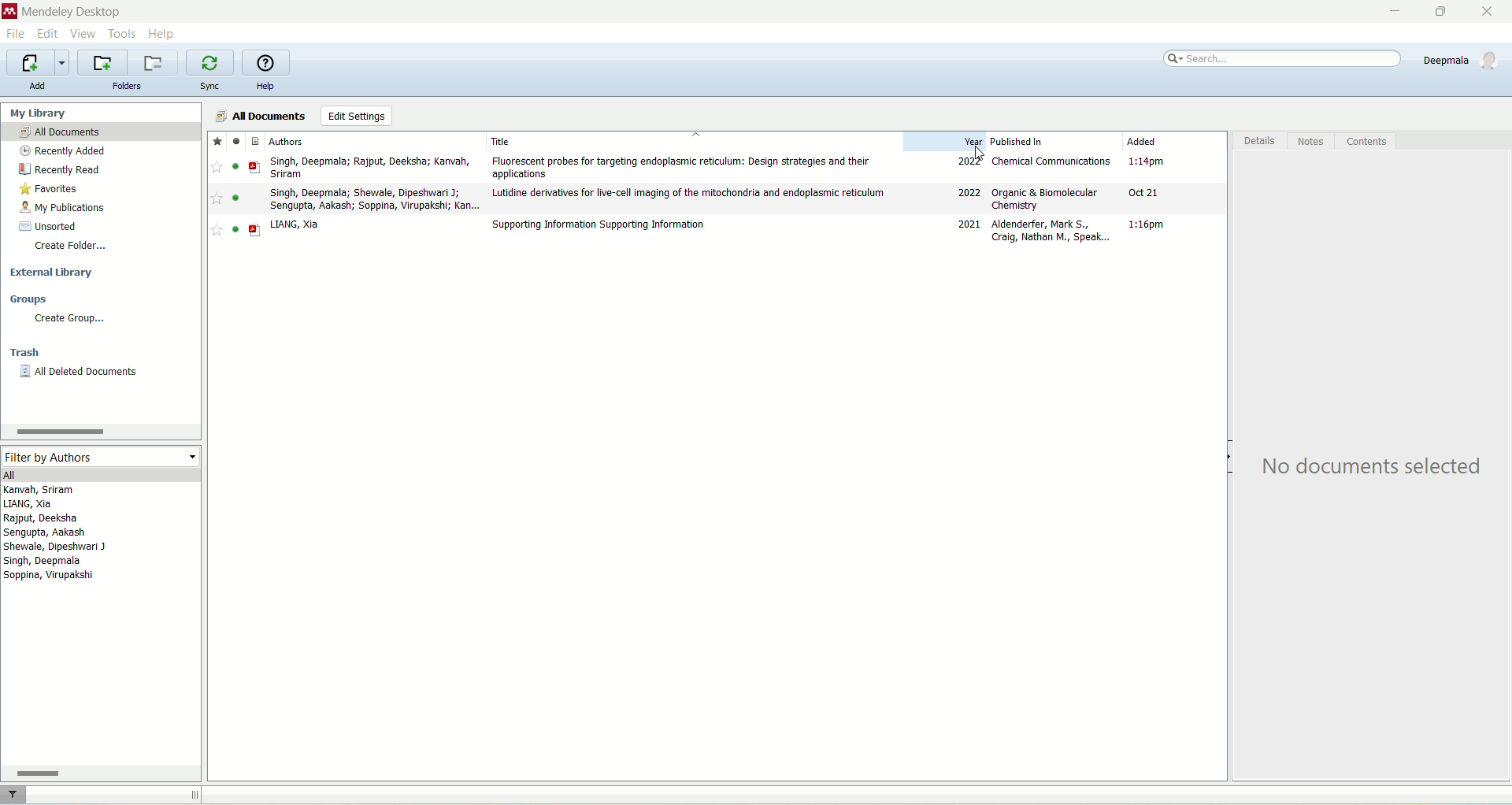  I want to click on close, so click(1486, 12).